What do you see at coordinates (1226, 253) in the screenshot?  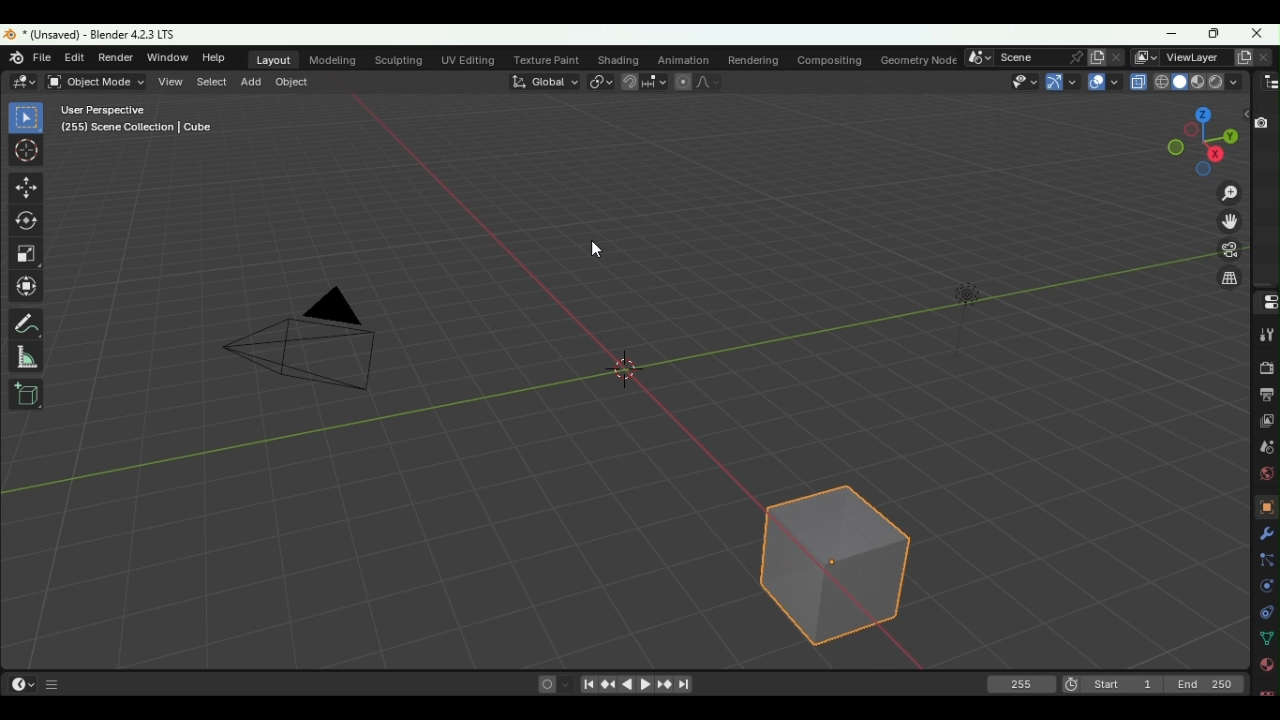 I see `Toggle camera view` at bounding box center [1226, 253].